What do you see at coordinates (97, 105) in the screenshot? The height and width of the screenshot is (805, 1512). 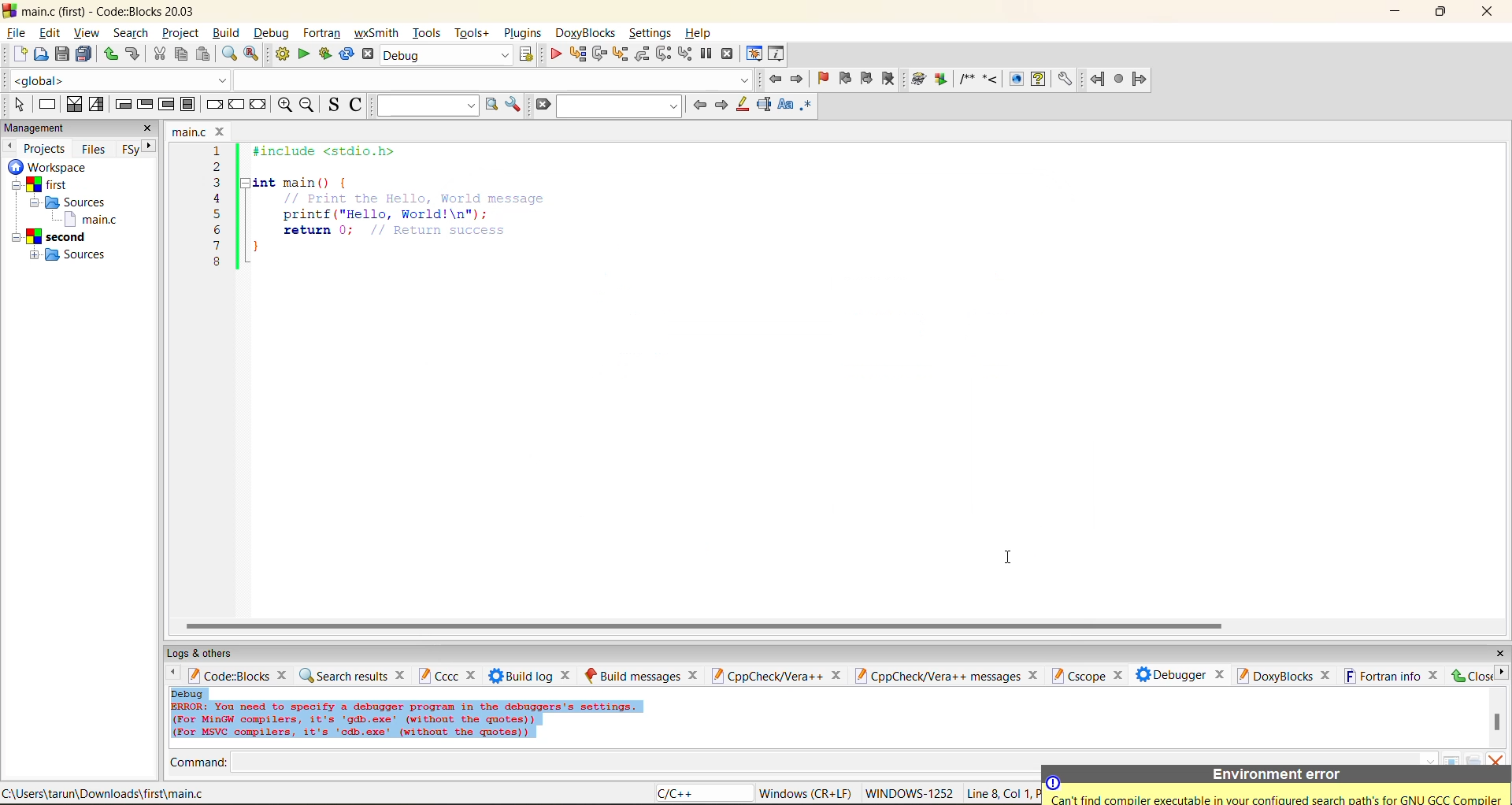 I see `selection` at bounding box center [97, 105].